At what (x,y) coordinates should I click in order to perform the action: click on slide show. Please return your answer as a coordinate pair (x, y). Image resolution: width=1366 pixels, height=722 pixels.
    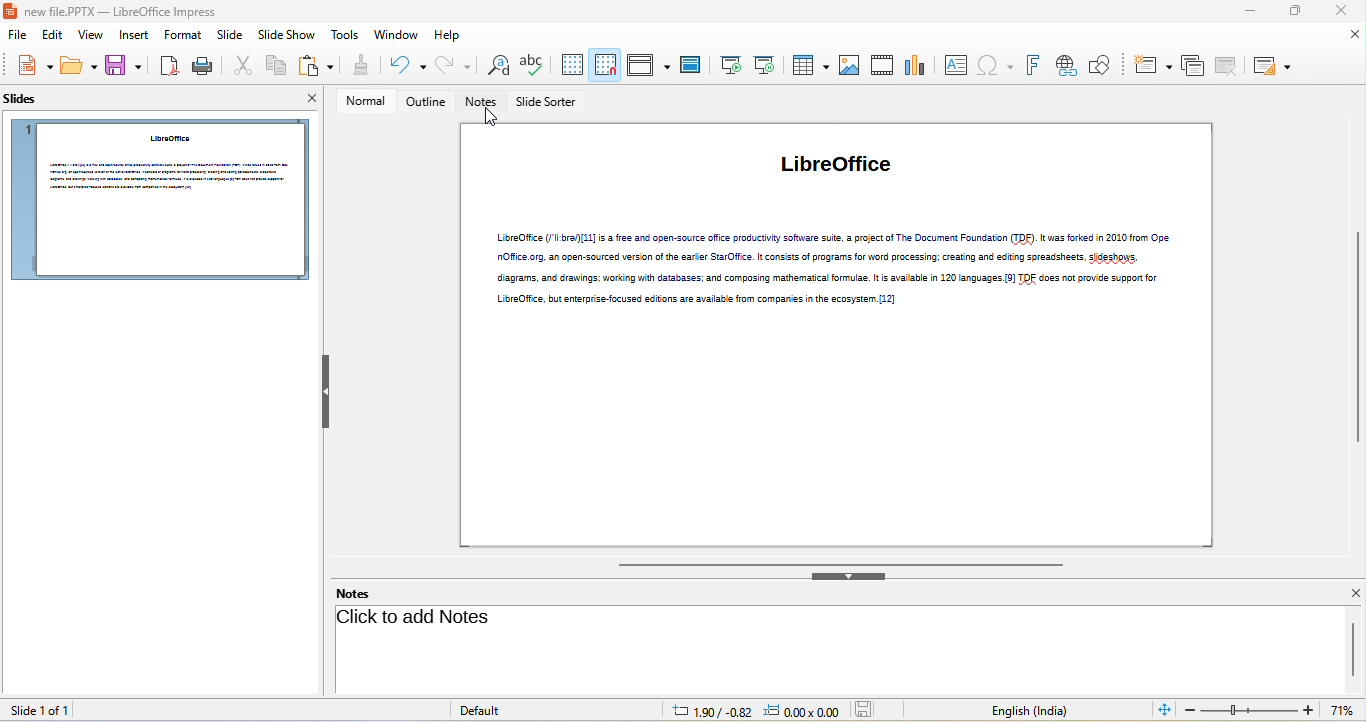
    Looking at the image, I should click on (287, 37).